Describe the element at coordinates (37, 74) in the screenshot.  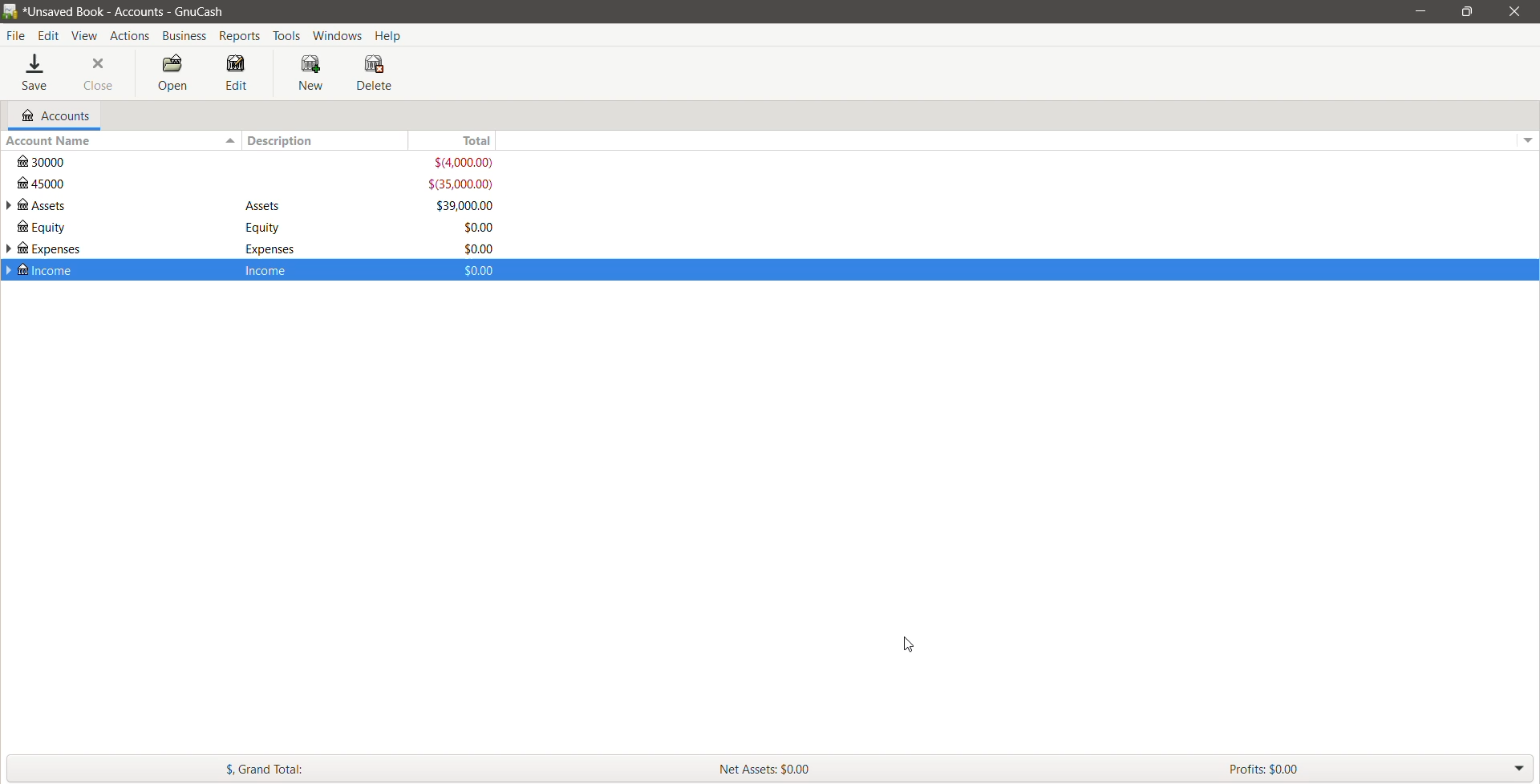
I see `Save` at that location.